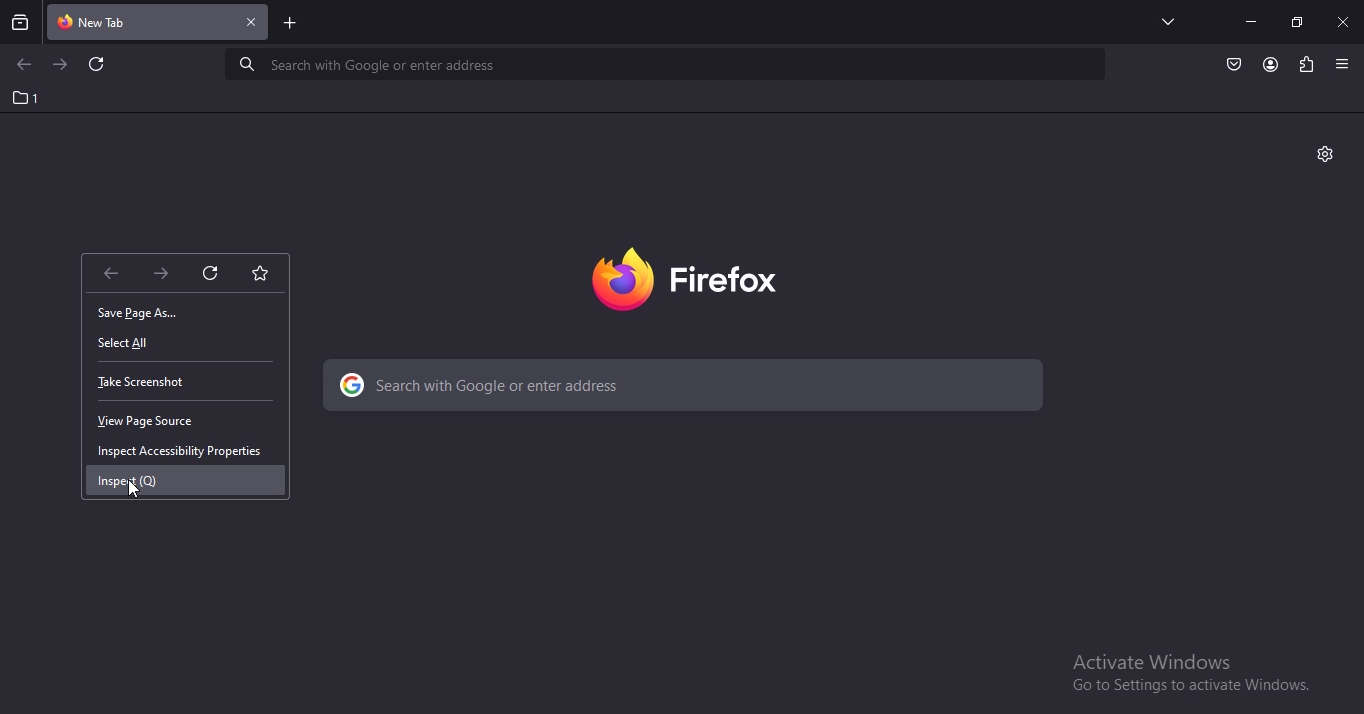 Image resolution: width=1364 pixels, height=714 pixels. I want to click on close, so click(251, 23).